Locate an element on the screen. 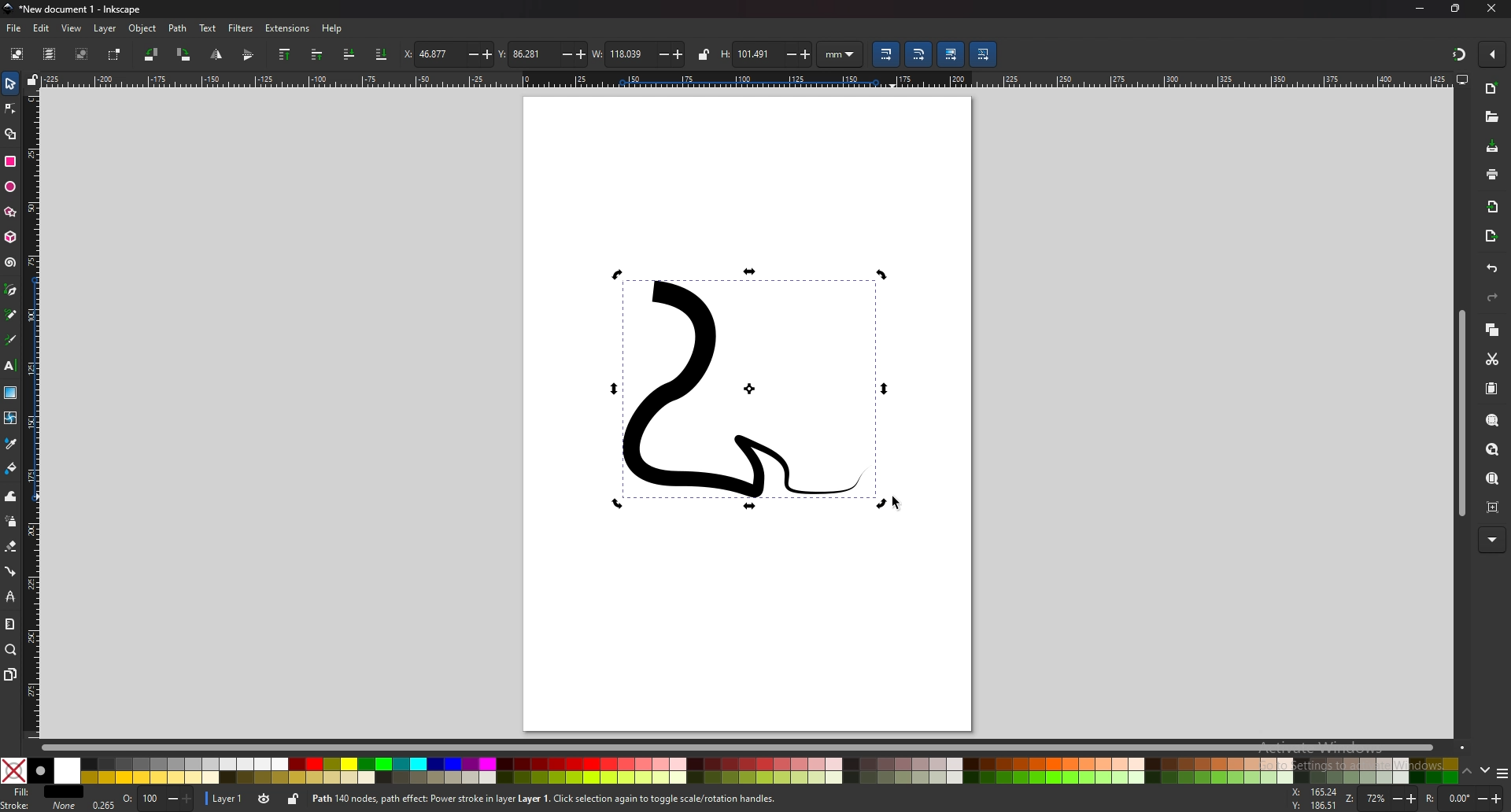  print is located at coordinates (1492, 175).